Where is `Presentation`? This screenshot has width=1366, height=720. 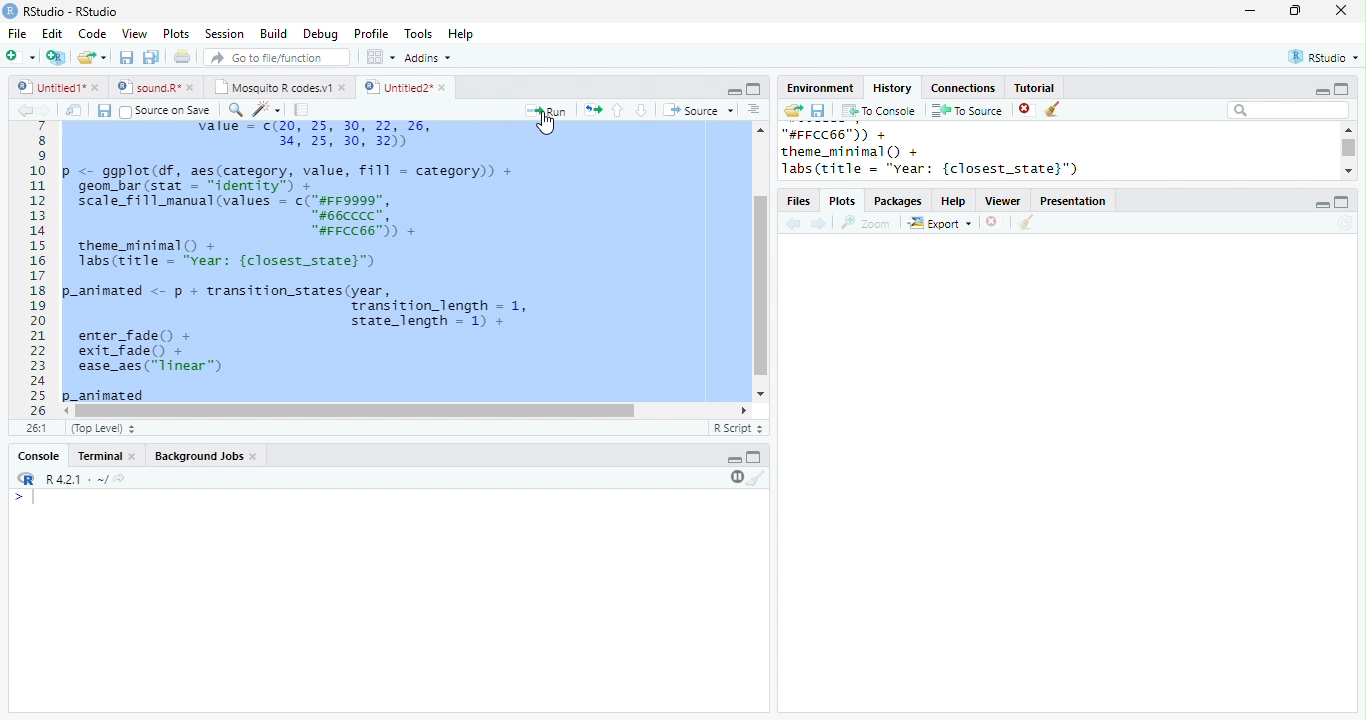
Presentation is located at coordinates (1073, 201).